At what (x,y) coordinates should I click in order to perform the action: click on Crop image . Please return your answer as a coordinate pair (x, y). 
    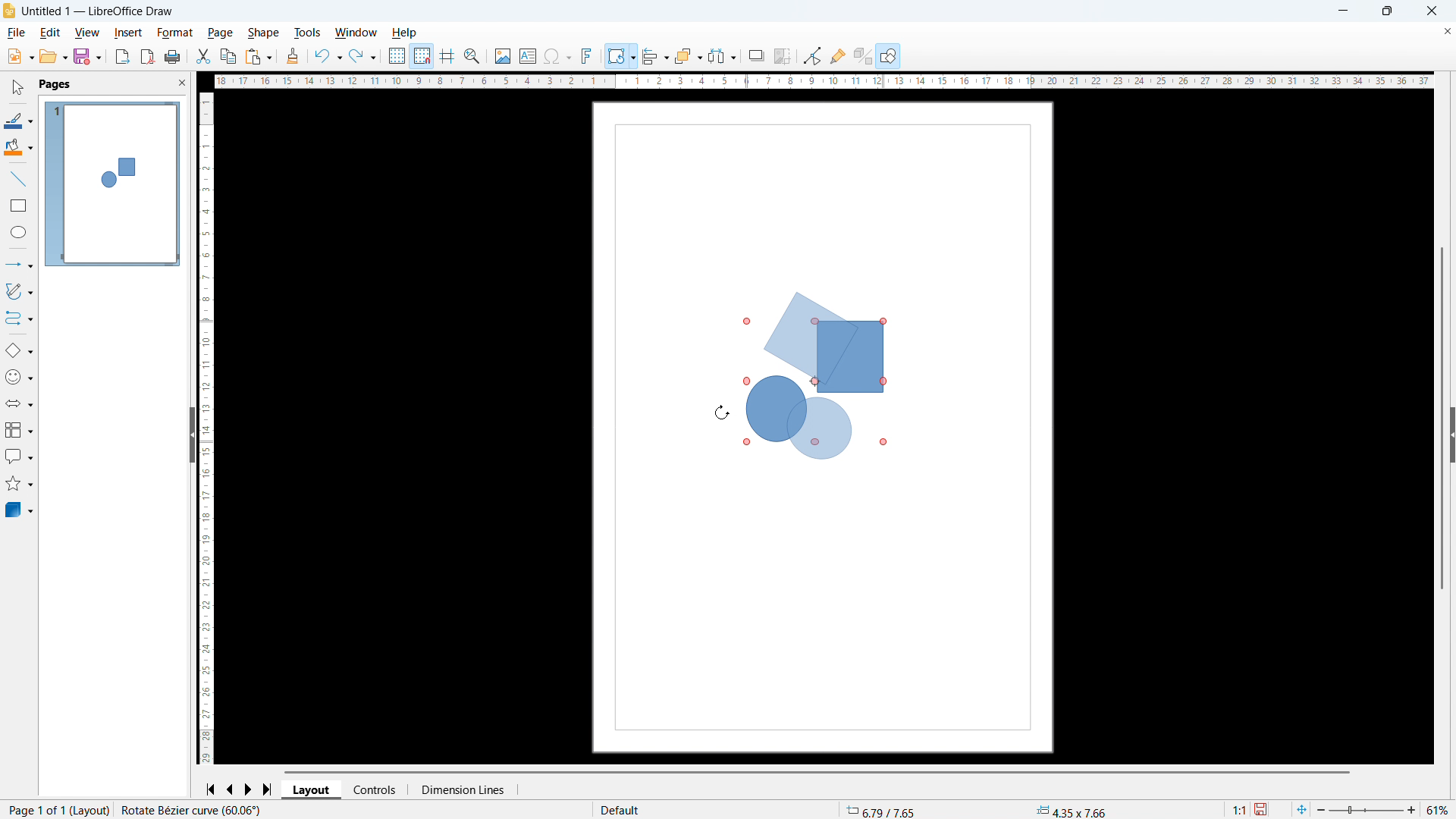
    Looking at the image, I should click on (782, 56).